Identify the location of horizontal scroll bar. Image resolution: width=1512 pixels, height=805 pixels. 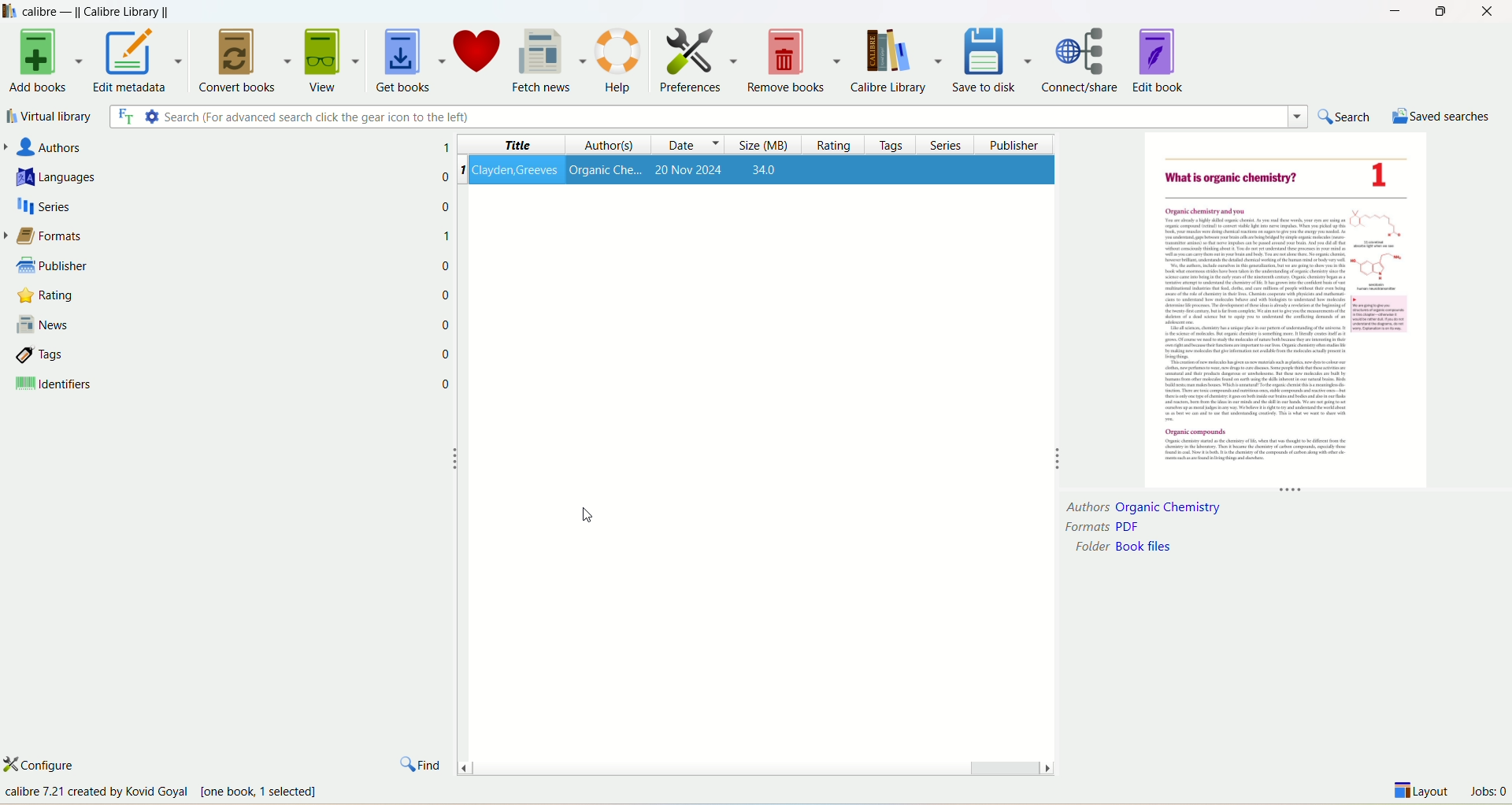
(754, 764).